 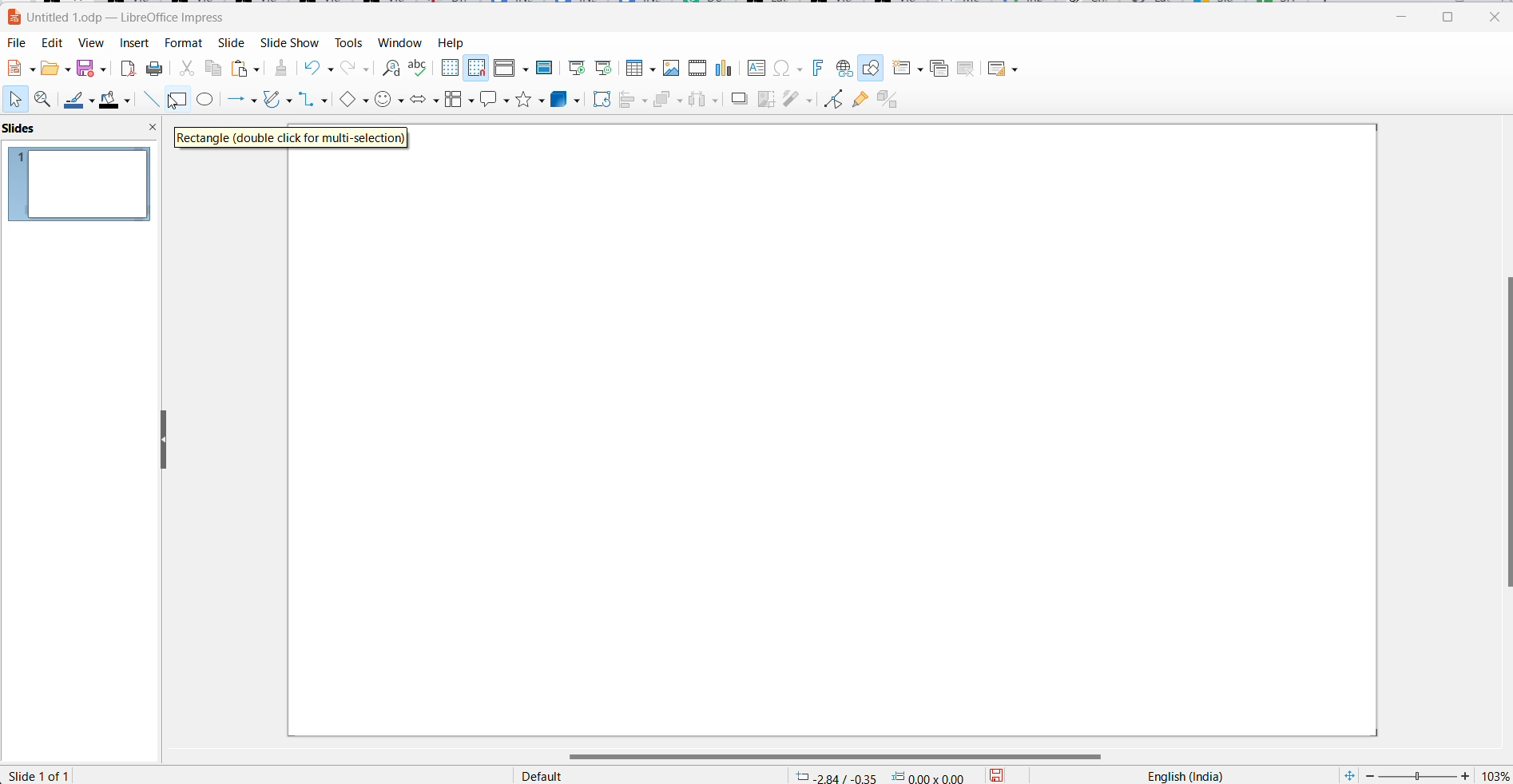 What do you see at coordinates (820, 67) in the screenshot?
I see `Insert font work text` at bounding box center [820, 67].